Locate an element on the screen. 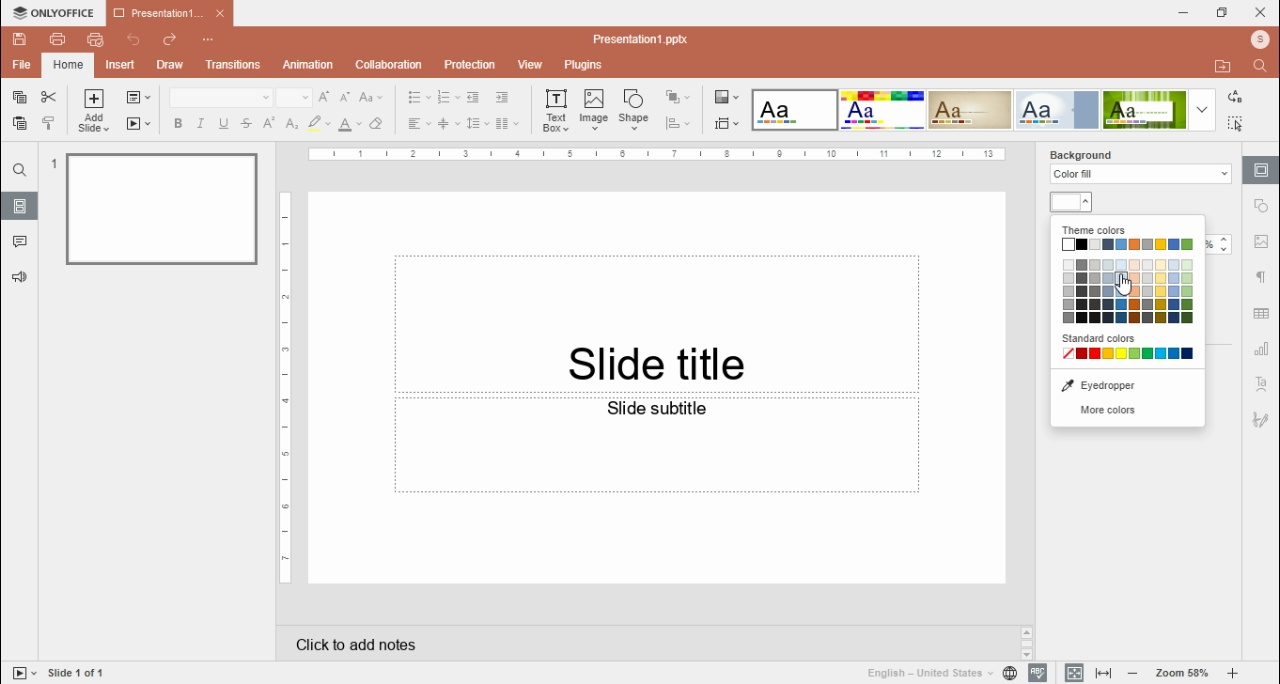 The width and height of the screenshot is (1280, 684). customize quick access toolbar is located at coordinates (207, 40).